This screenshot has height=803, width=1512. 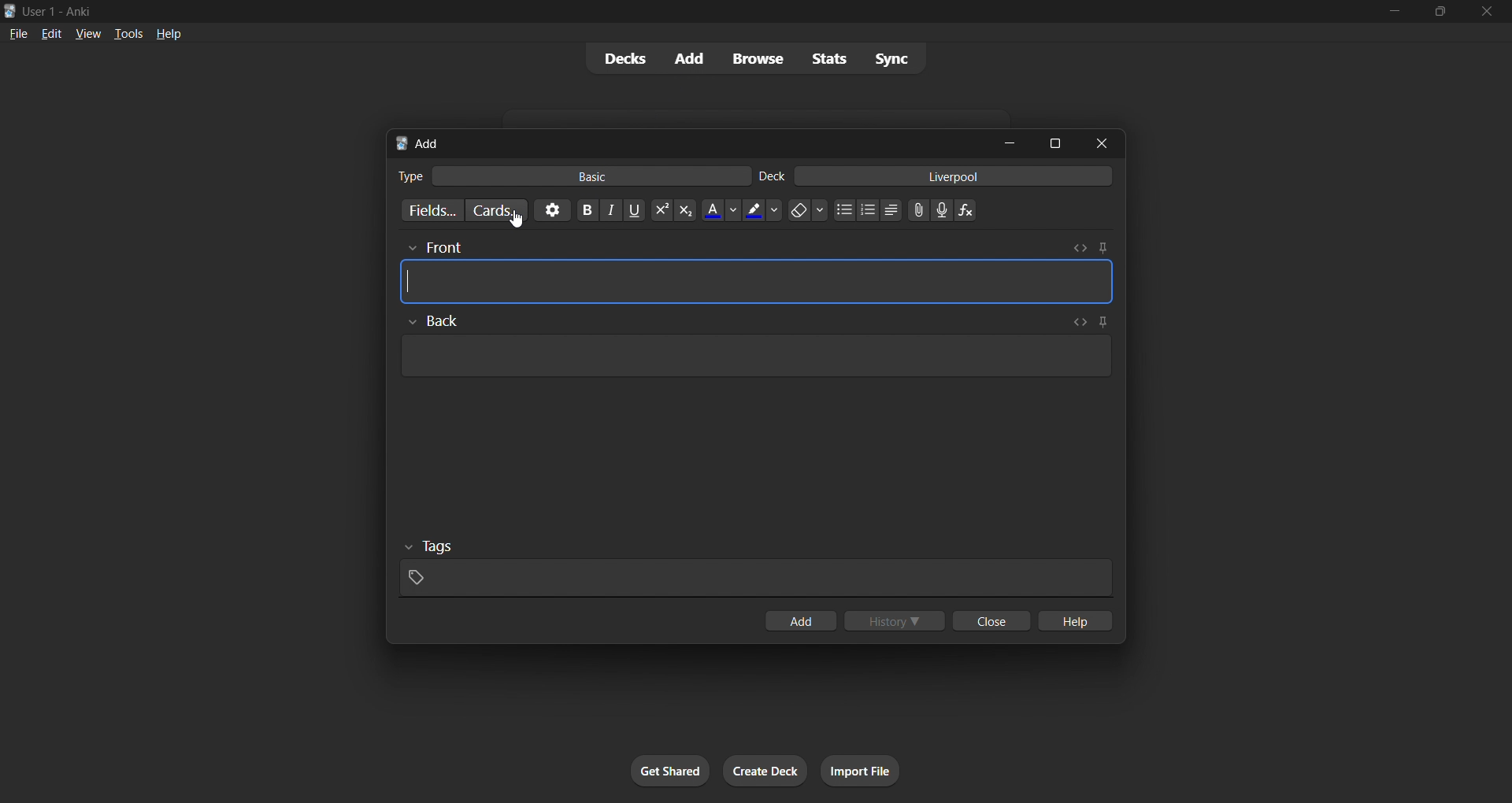 What do you see at coordinates (865, 772) in the screenshot?
I see `import file` at bounding box center [865, 772].